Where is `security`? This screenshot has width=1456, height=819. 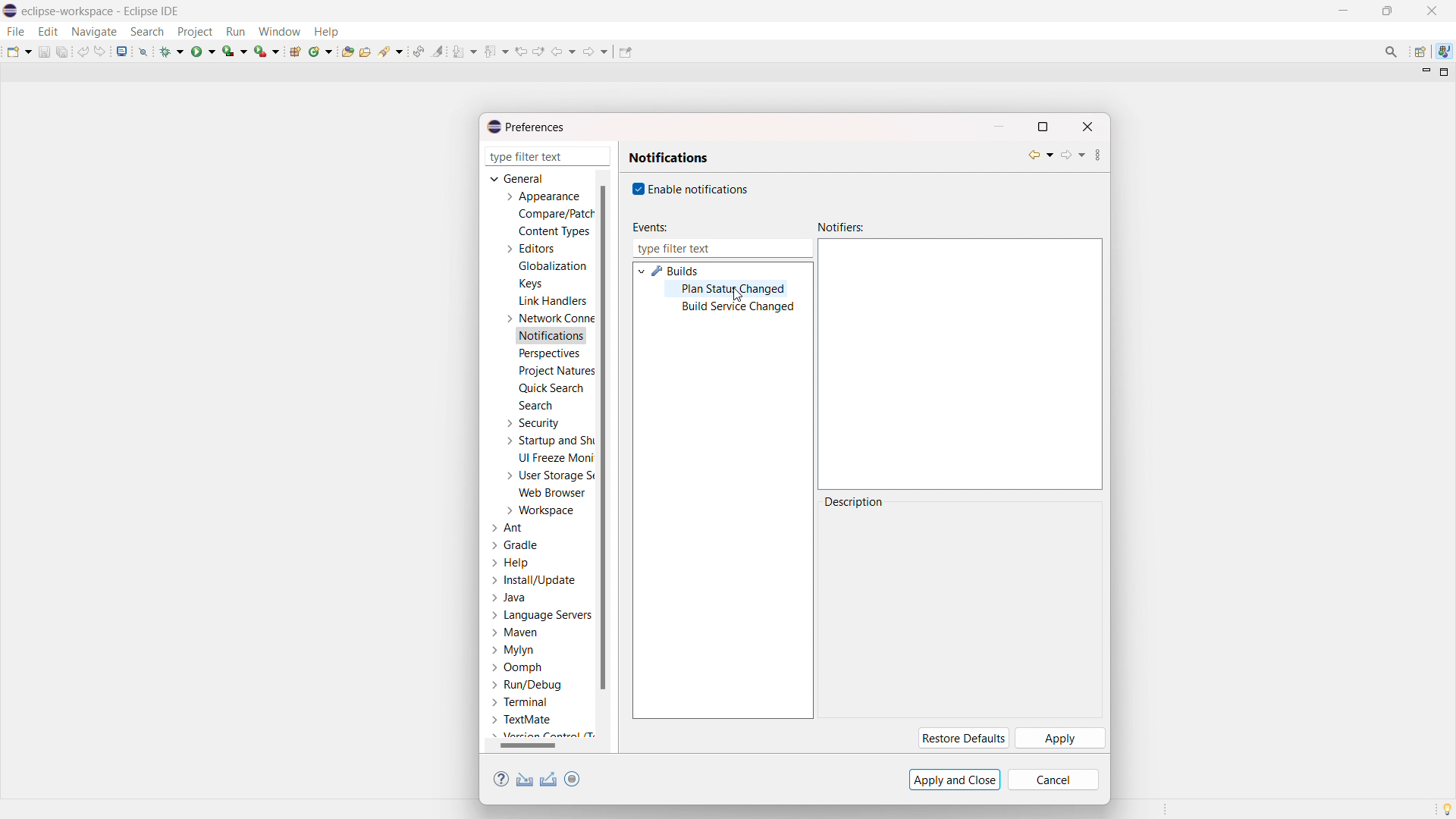 security is located at coordinates (532, 423).